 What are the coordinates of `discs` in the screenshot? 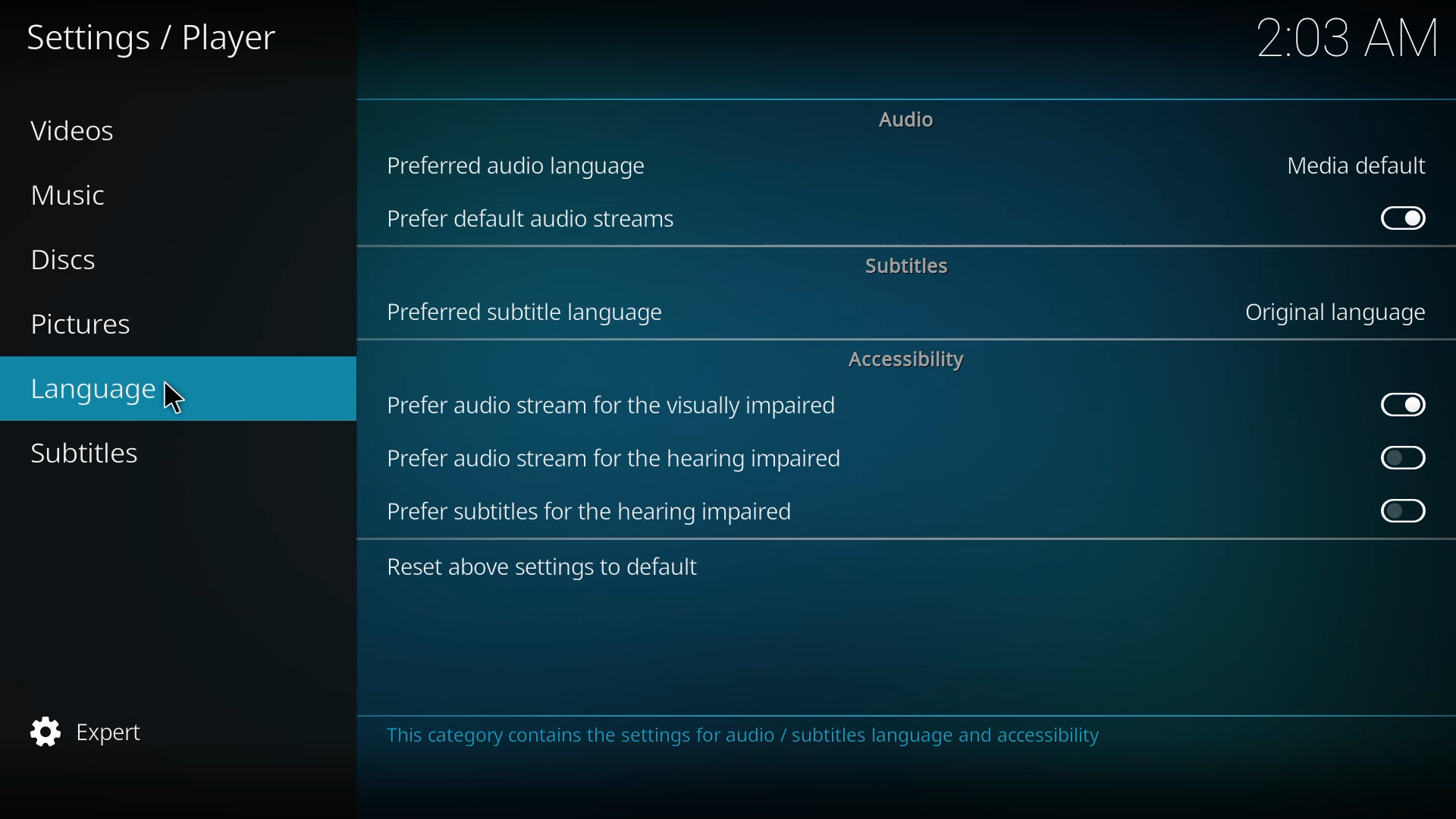 It's located at (62, 257).